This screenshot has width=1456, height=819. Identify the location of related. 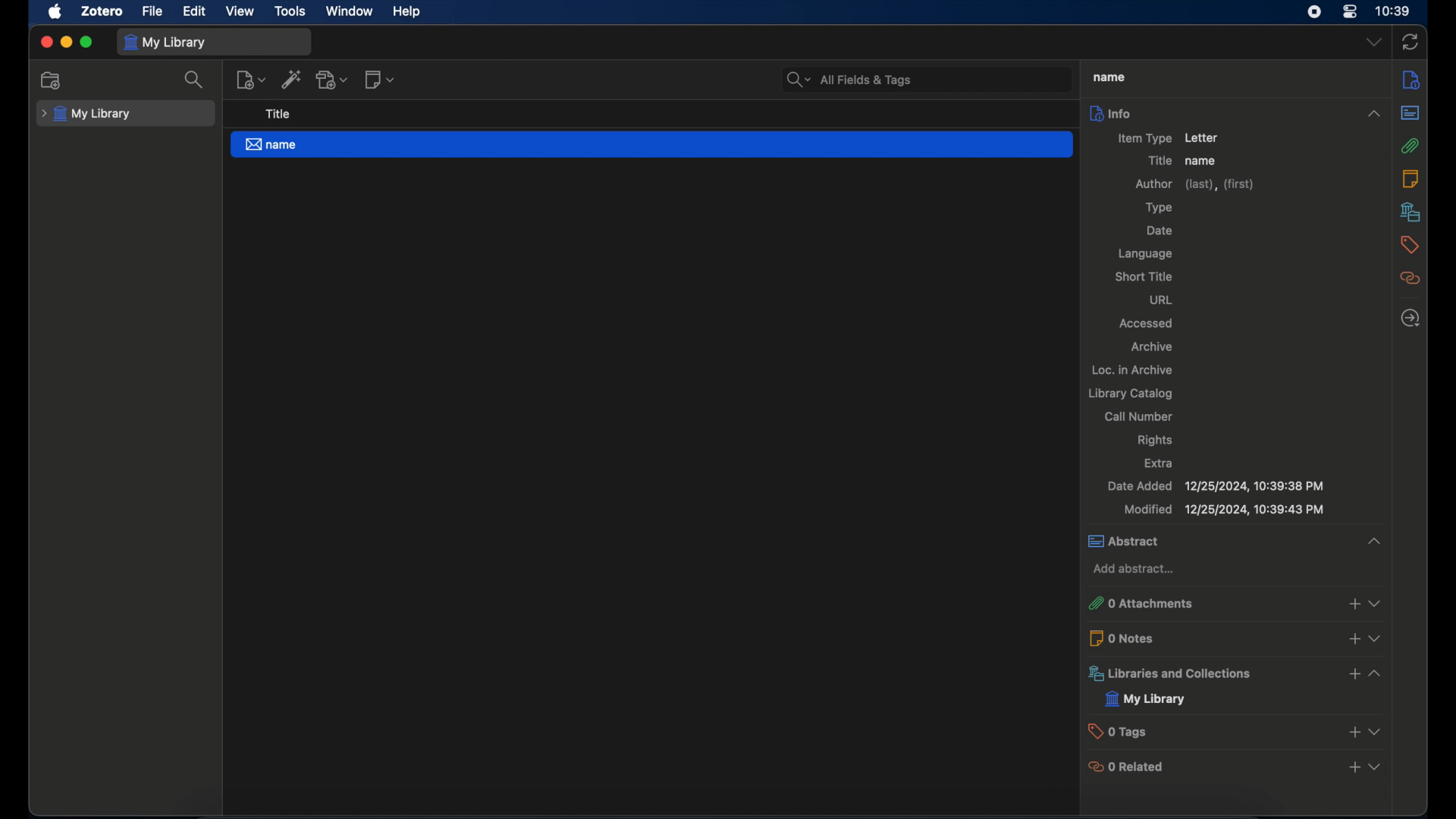
(1411, 278).